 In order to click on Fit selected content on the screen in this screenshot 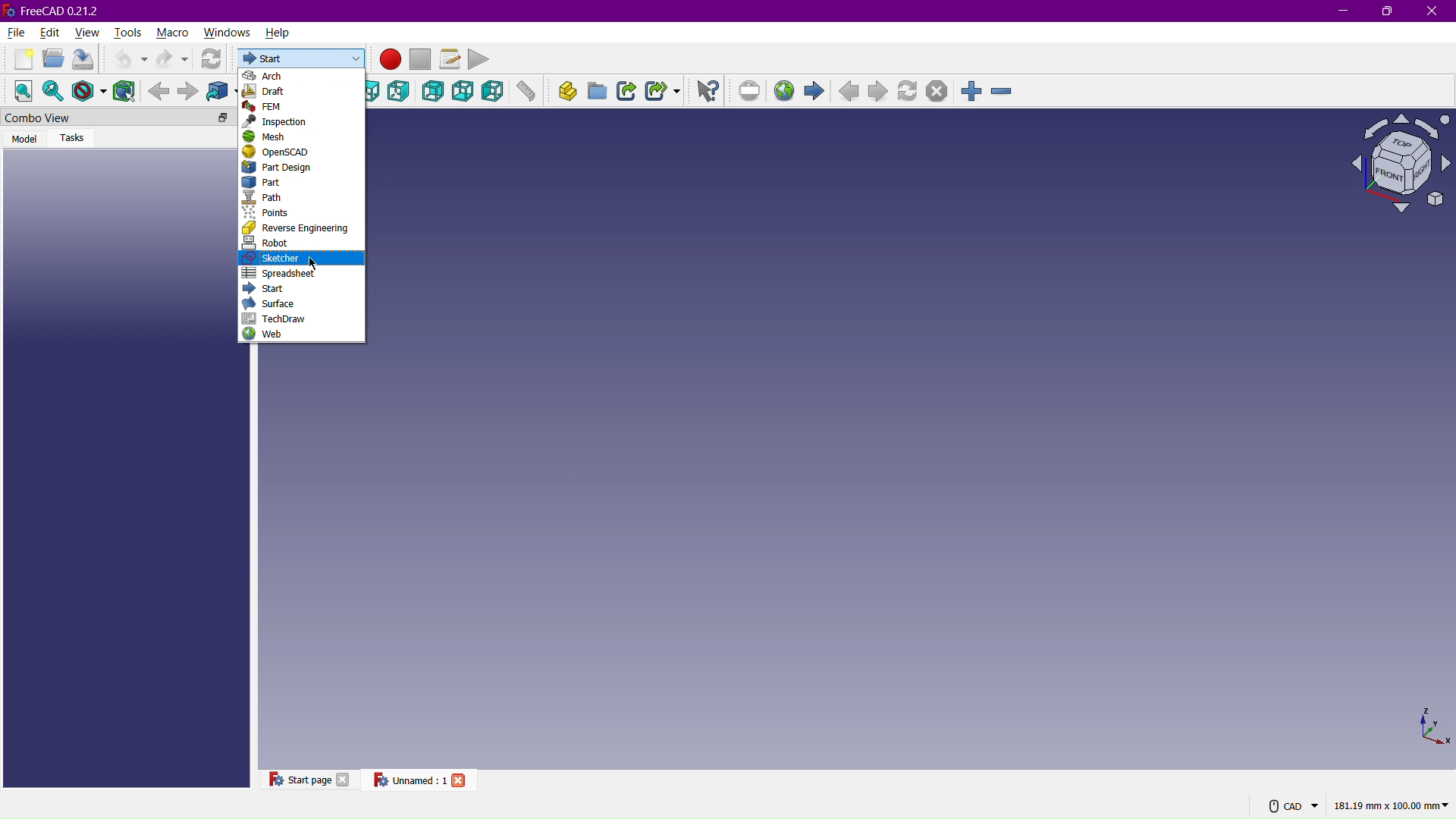, I will do `click(53, 90)`.